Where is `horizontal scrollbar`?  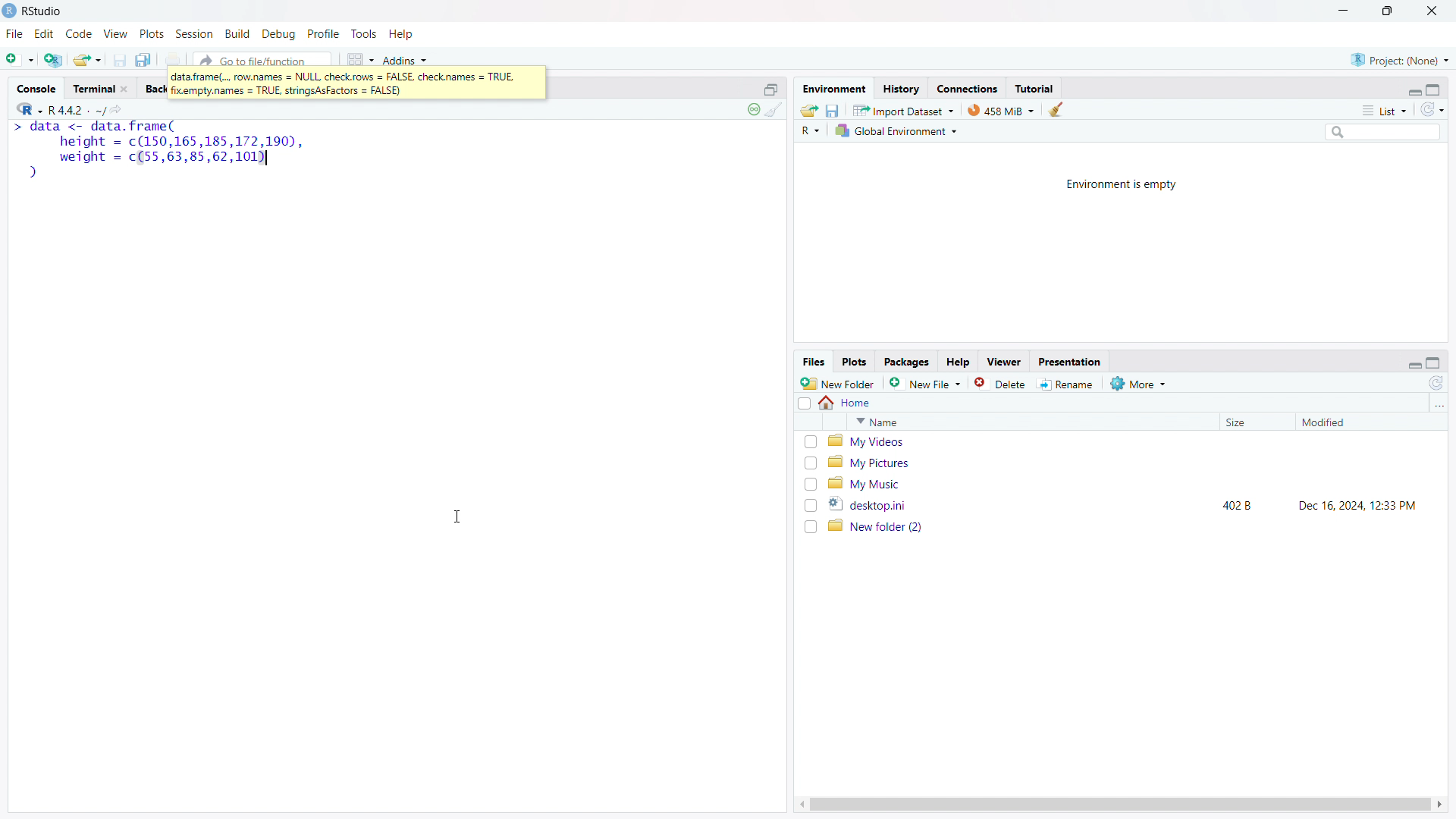
horizontal scrollbar is located at coordinates (1119, 804).